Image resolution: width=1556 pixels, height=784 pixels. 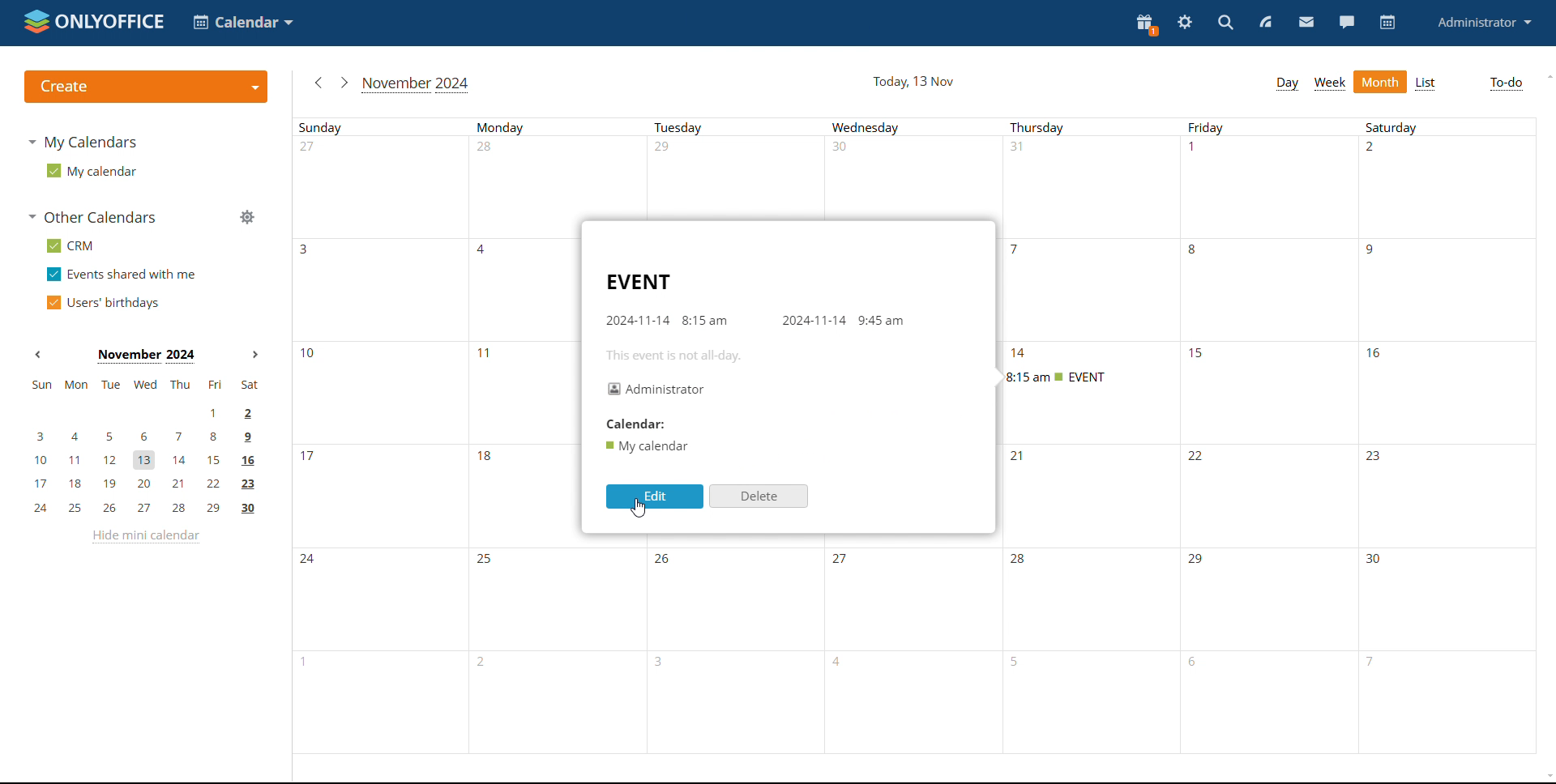 What do you see at coordinates (878, 126) in the screenshot?
I see `days` at bounding box center [878, 126].